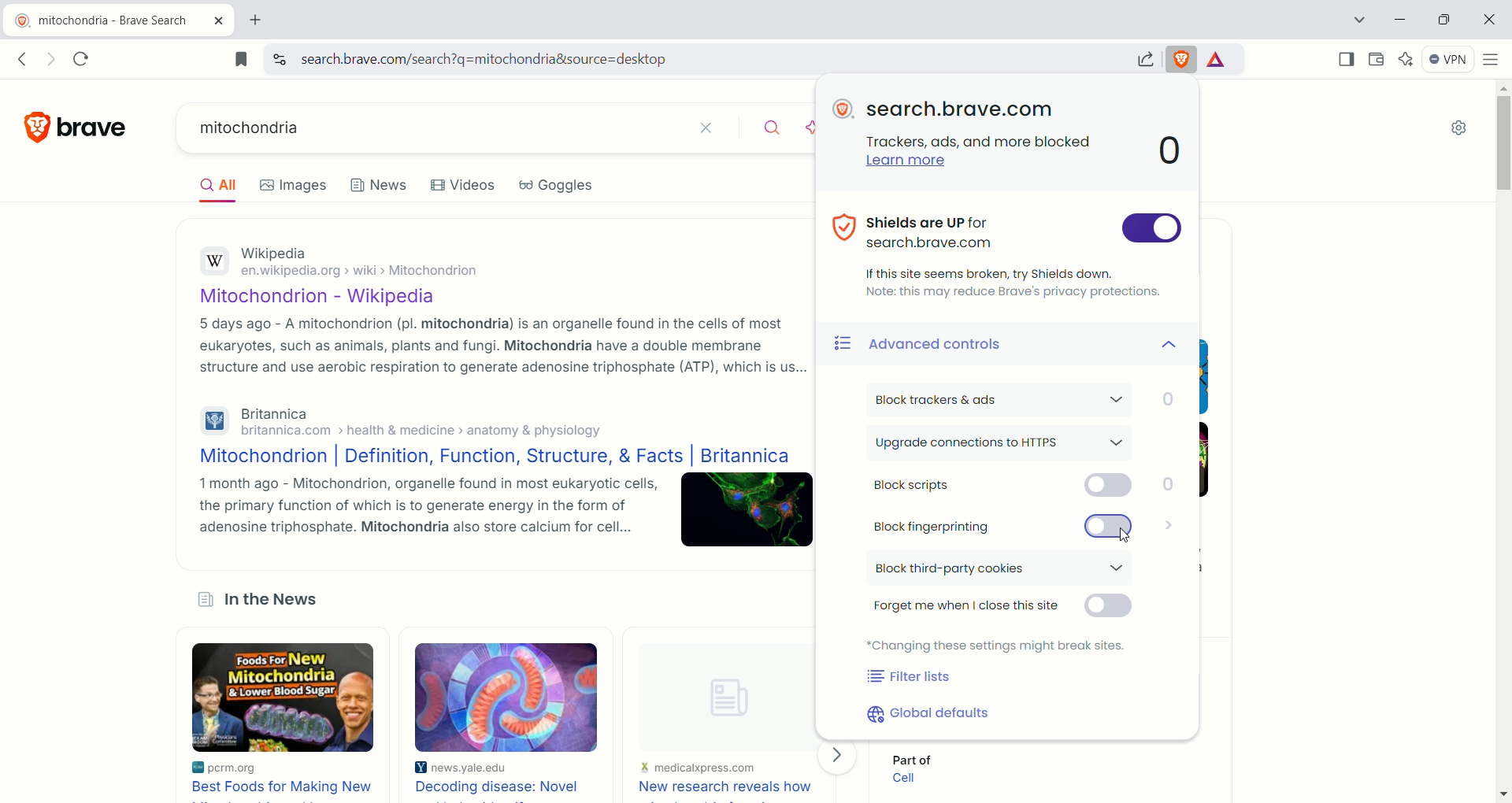 The height and width of the screenshot is (803, 1512). Describe the element at coordinates (1165, 527) in the screenshot. I see `Block fingerprinting ` at that location.